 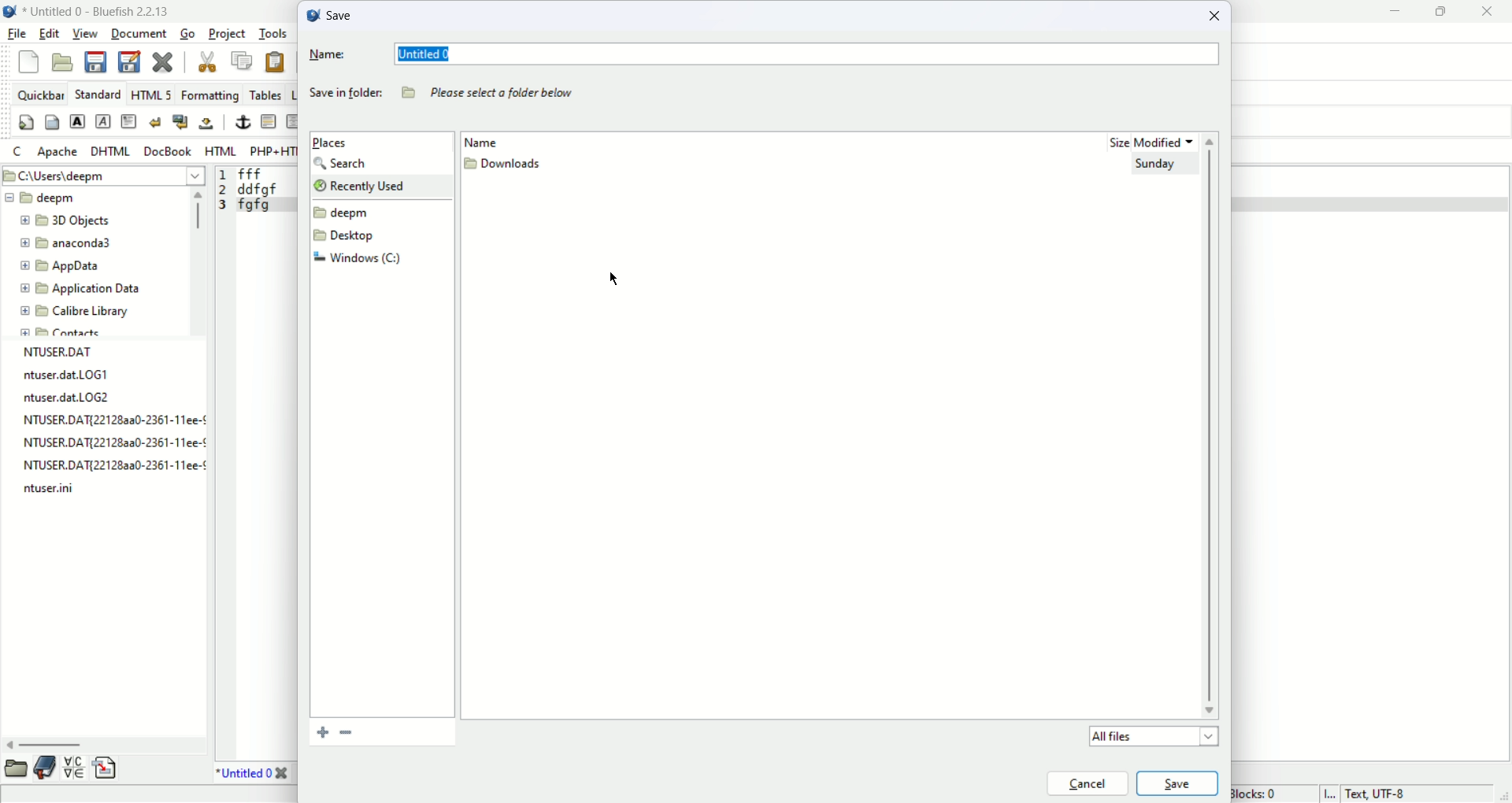 I want to click on break and clear, so click(x=180, y=122).